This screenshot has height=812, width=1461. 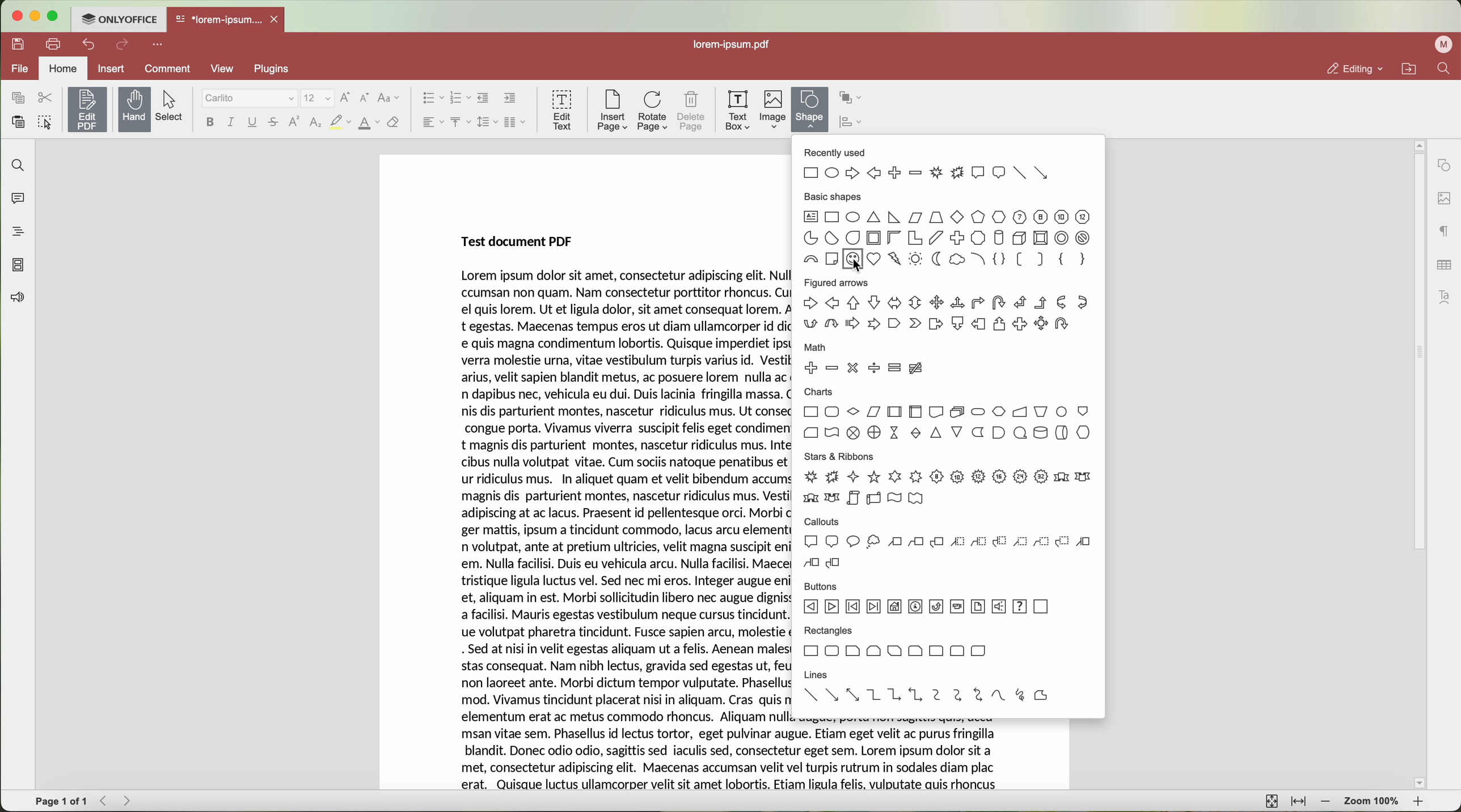 What do you see at coordinates (18, 266) in the screenshot?
I see `page thumbnails` at bounding box center [18, 266].